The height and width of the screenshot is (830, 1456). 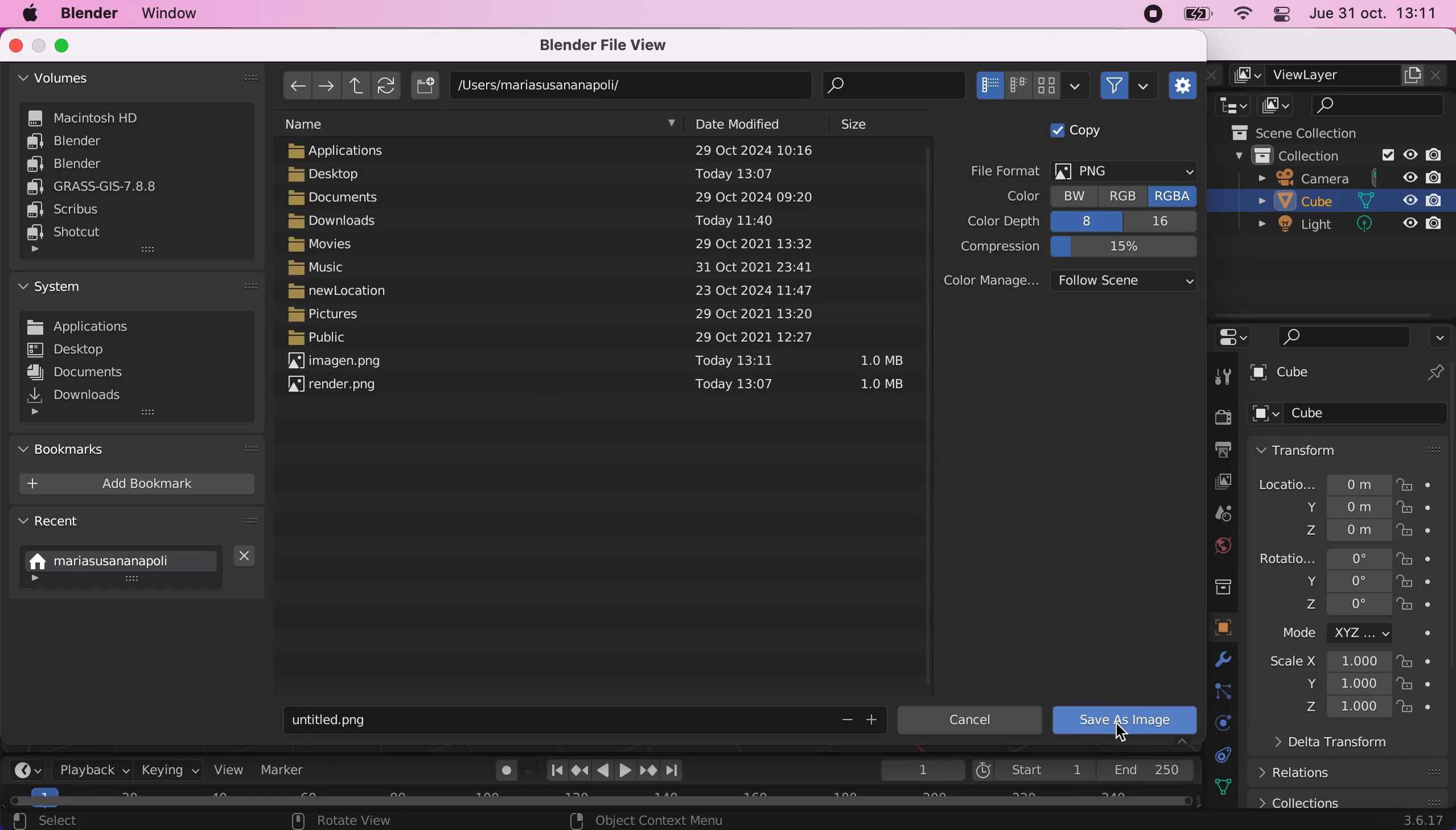 I want to click on add bookmark, so click(x=137, y=485).